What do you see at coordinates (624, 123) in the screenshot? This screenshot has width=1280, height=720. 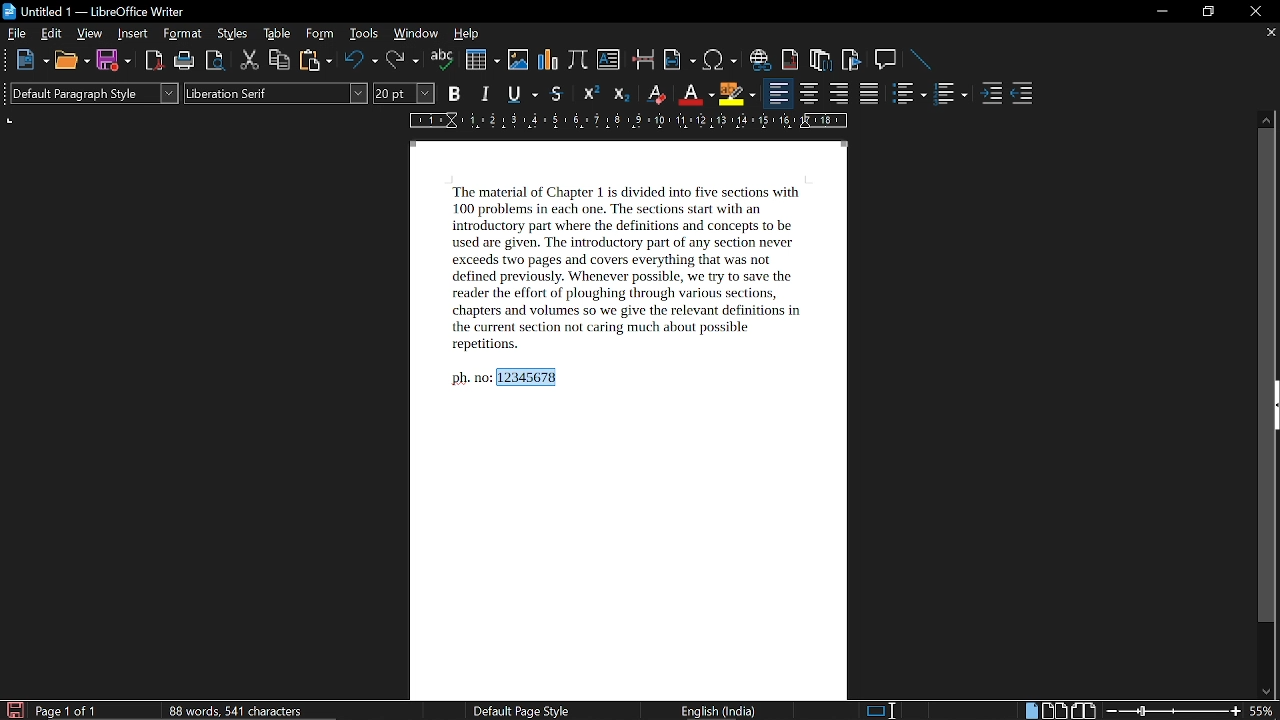 I see `scale` at bounding box center [624, 123].